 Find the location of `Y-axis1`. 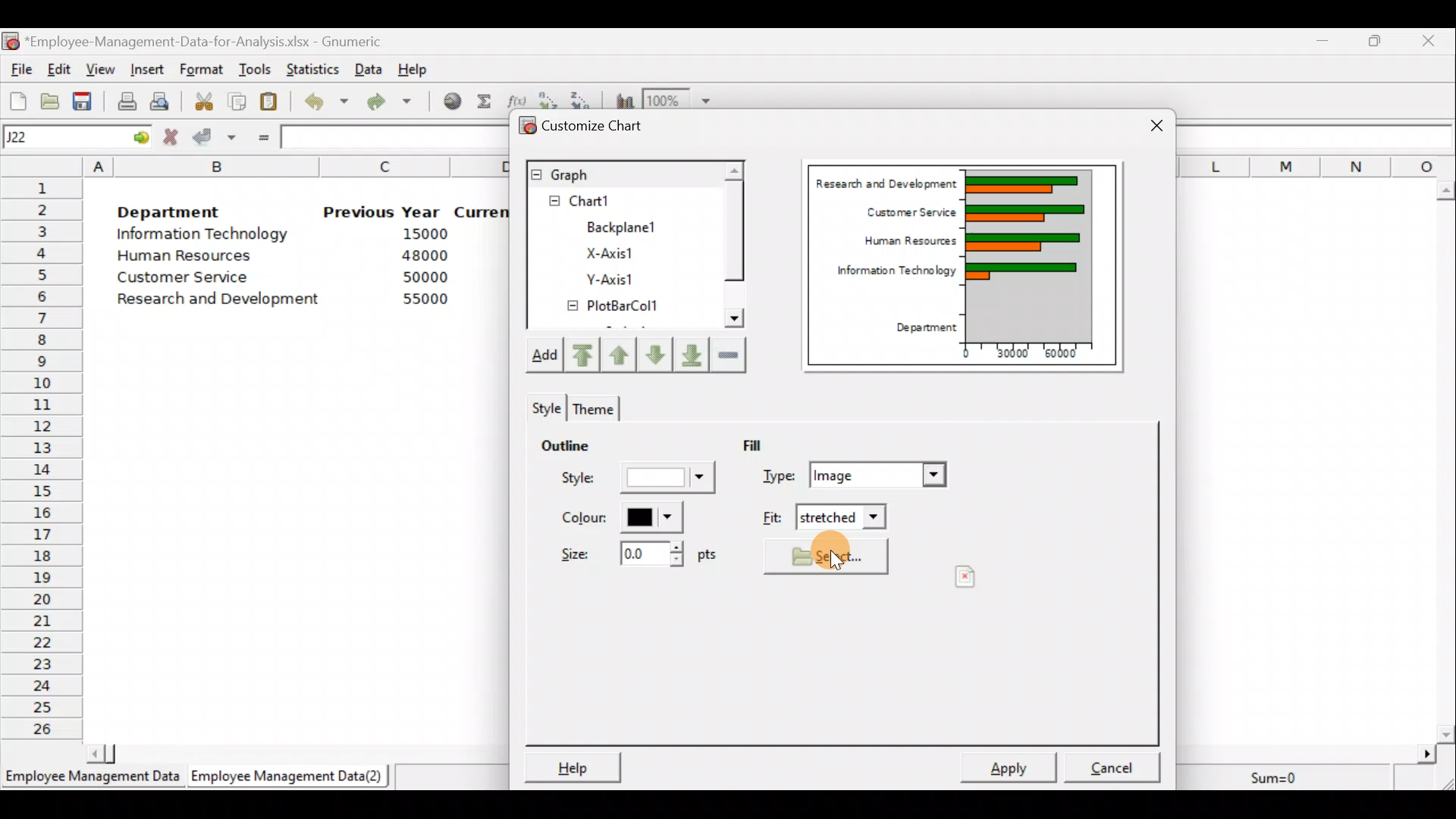

Y-axis1 is located at coordinates (608, 281).